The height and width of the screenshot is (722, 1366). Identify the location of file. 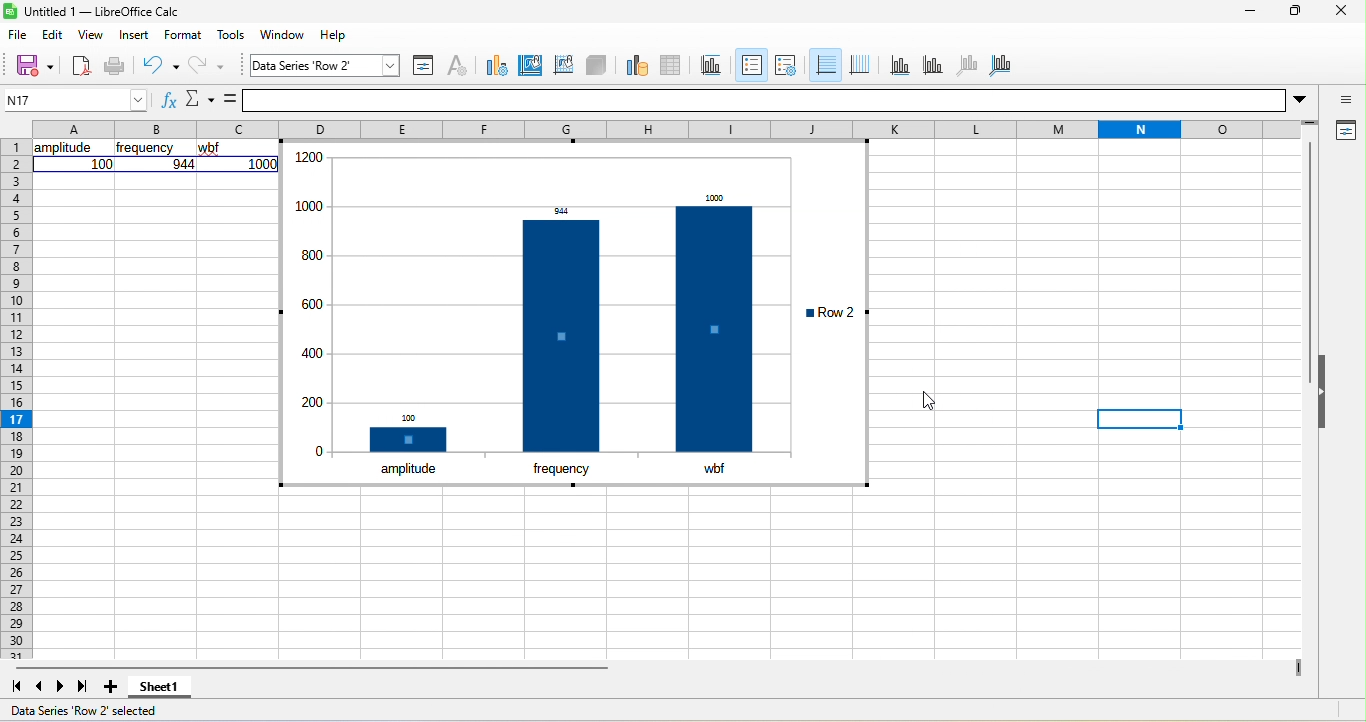
(21, 37).